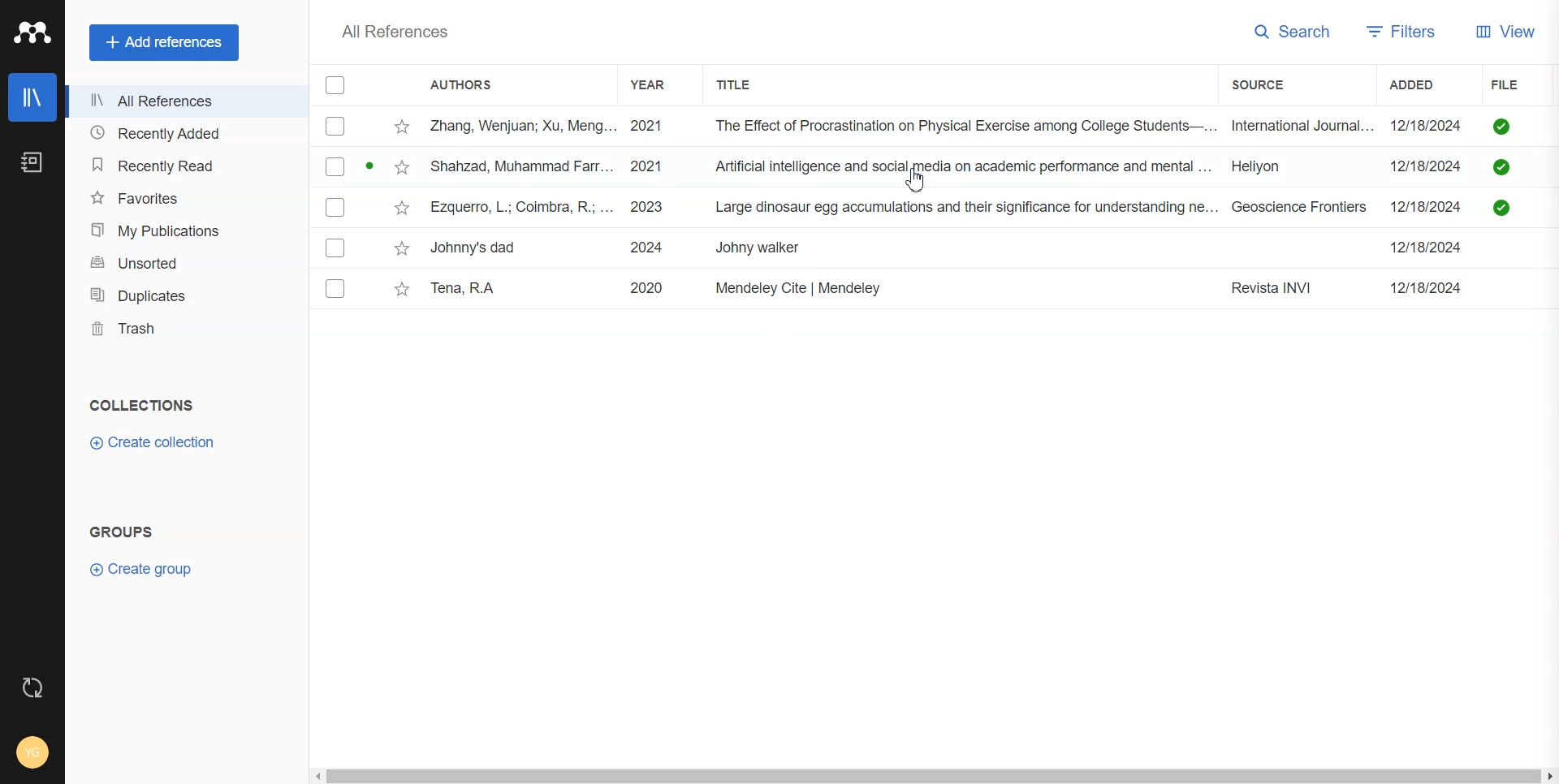 This screenshot has width=1559, height=784. I want to click on Create Group, so click(149, 569).